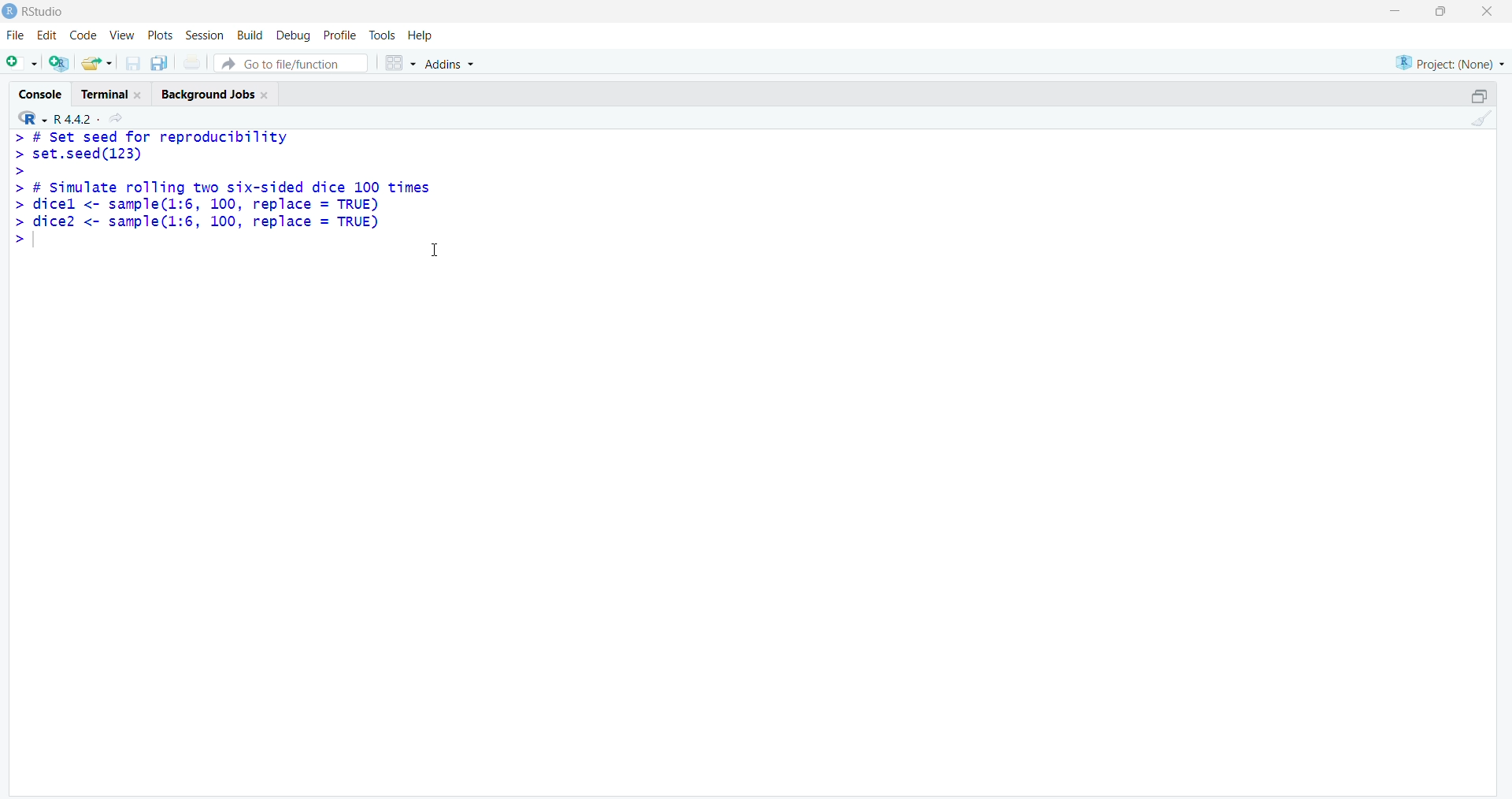  What do you see at coordinates (1445, 11) in the screenshot?
I see `maximise` at bounding box center [1445, 11].